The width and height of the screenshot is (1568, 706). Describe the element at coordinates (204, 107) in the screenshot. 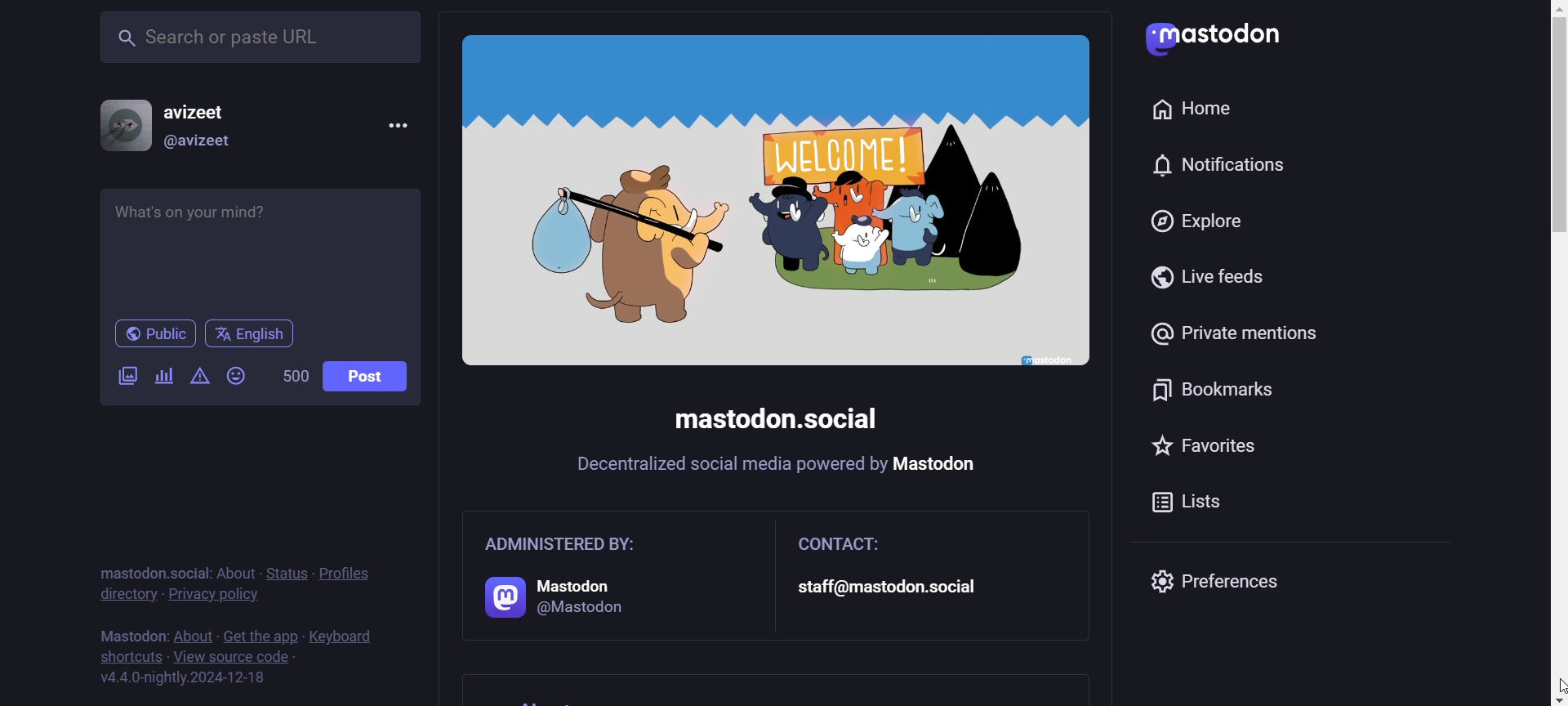

I see `username` at that location.